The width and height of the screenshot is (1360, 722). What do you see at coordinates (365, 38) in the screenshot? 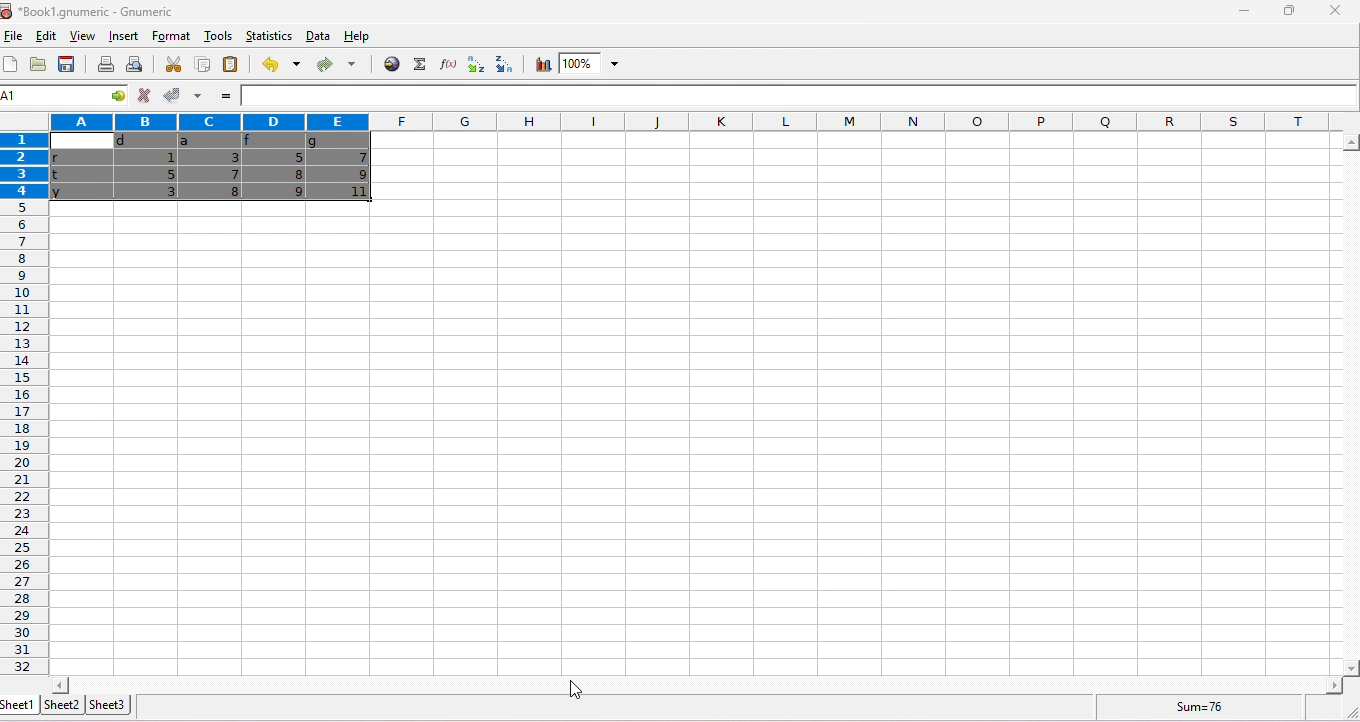
I see `help` at bounding box center [365, 38].